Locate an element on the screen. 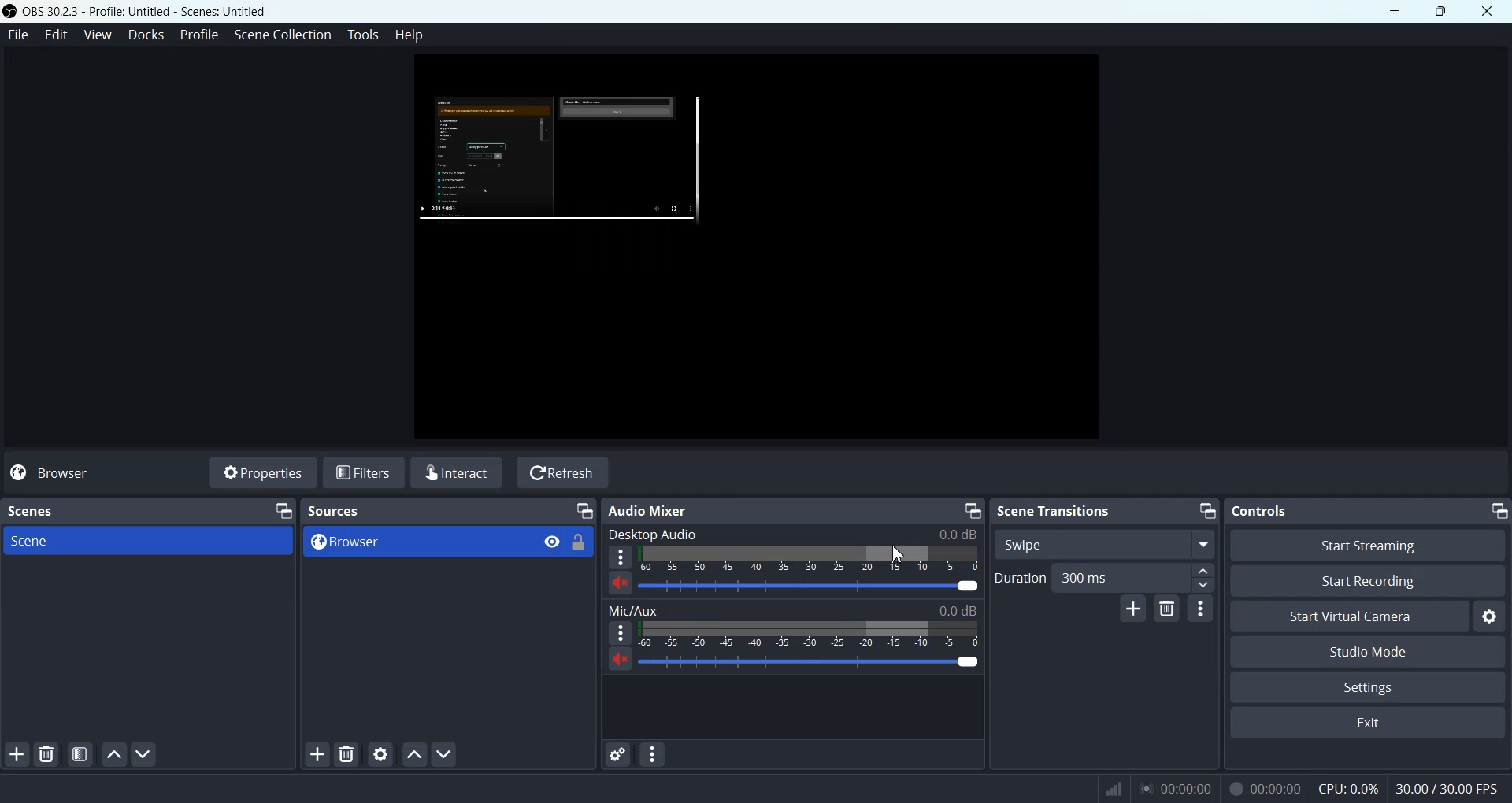  Settings is located at coordinates (1489, 617).